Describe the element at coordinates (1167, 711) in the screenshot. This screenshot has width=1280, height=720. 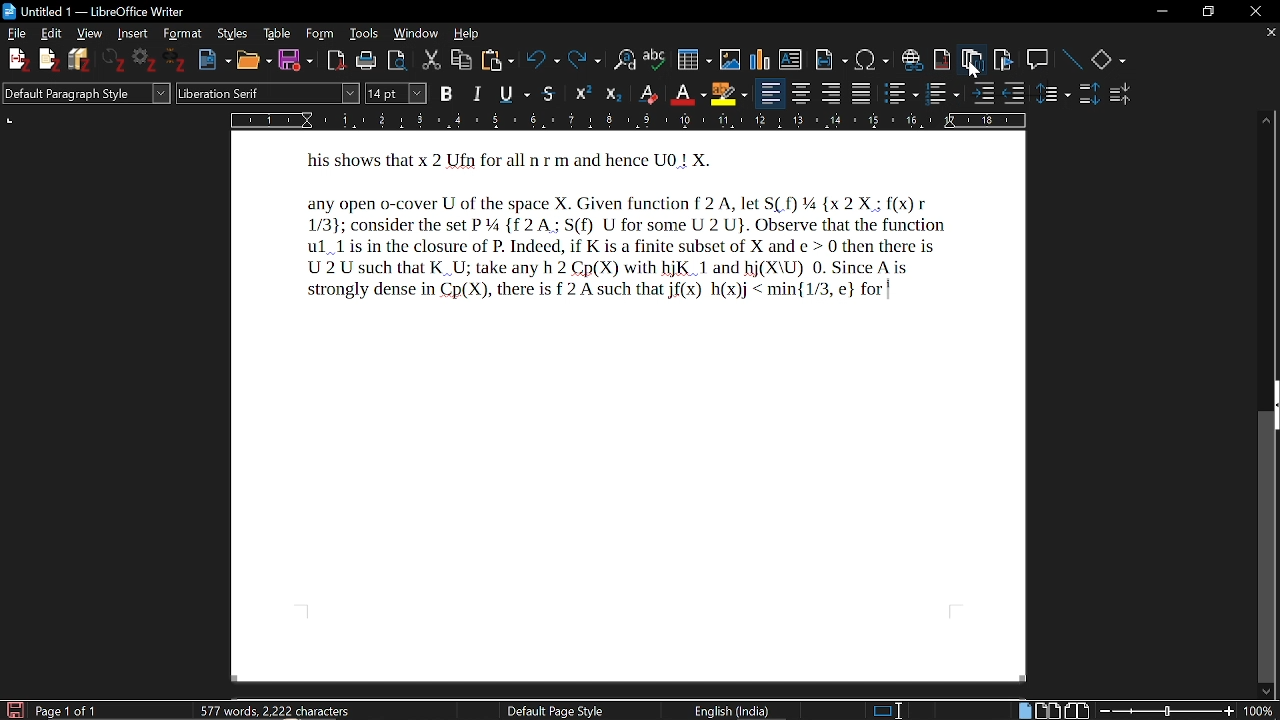
I see `Change zoom` at that location.